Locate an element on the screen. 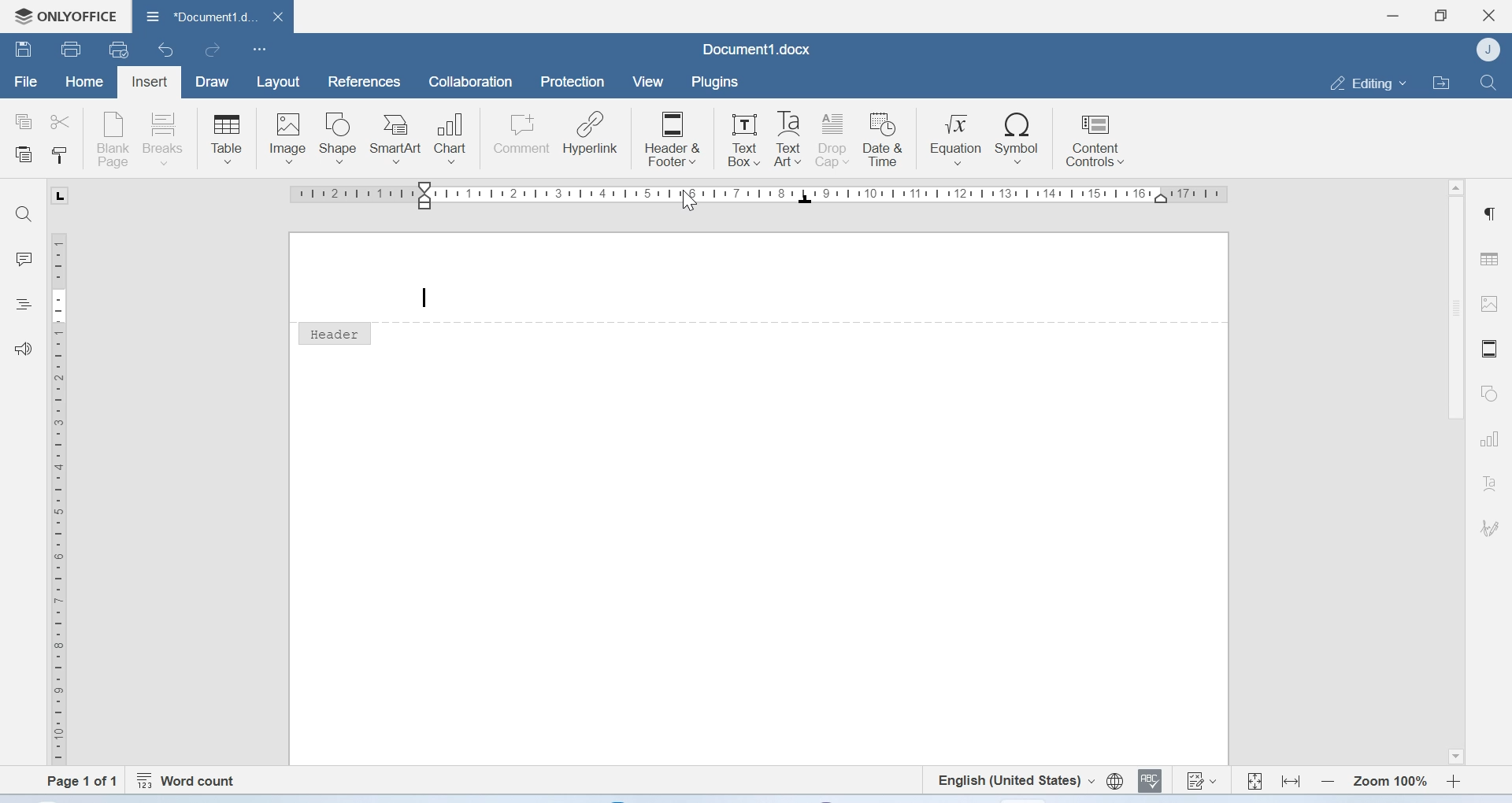 The image size is (1512, 803). Editing is located at coordinates (1364, 82).